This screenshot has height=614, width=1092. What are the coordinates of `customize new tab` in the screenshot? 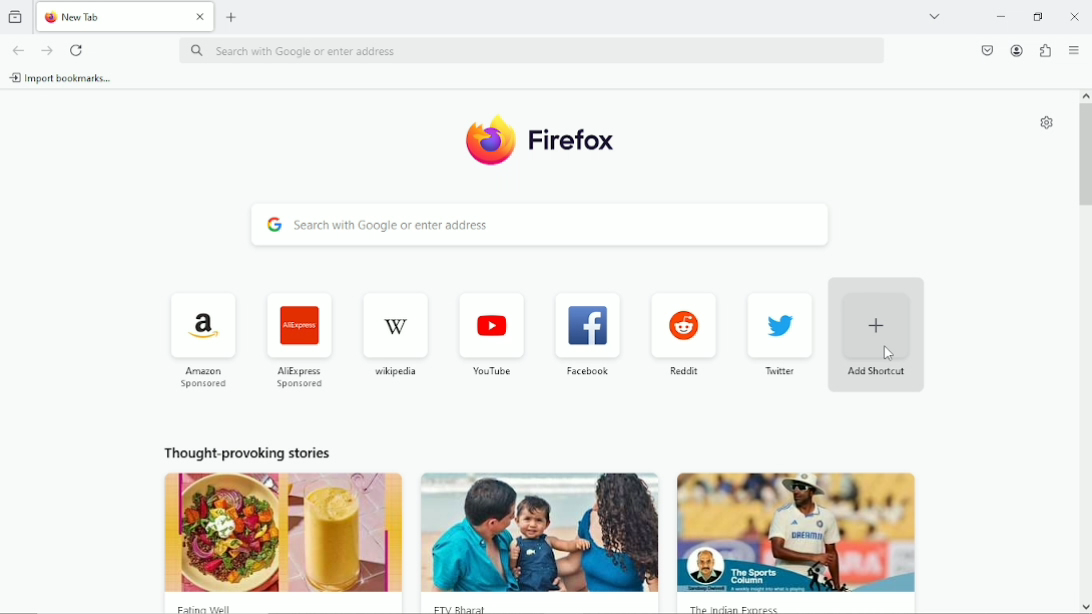 It's located at (1045, 123).